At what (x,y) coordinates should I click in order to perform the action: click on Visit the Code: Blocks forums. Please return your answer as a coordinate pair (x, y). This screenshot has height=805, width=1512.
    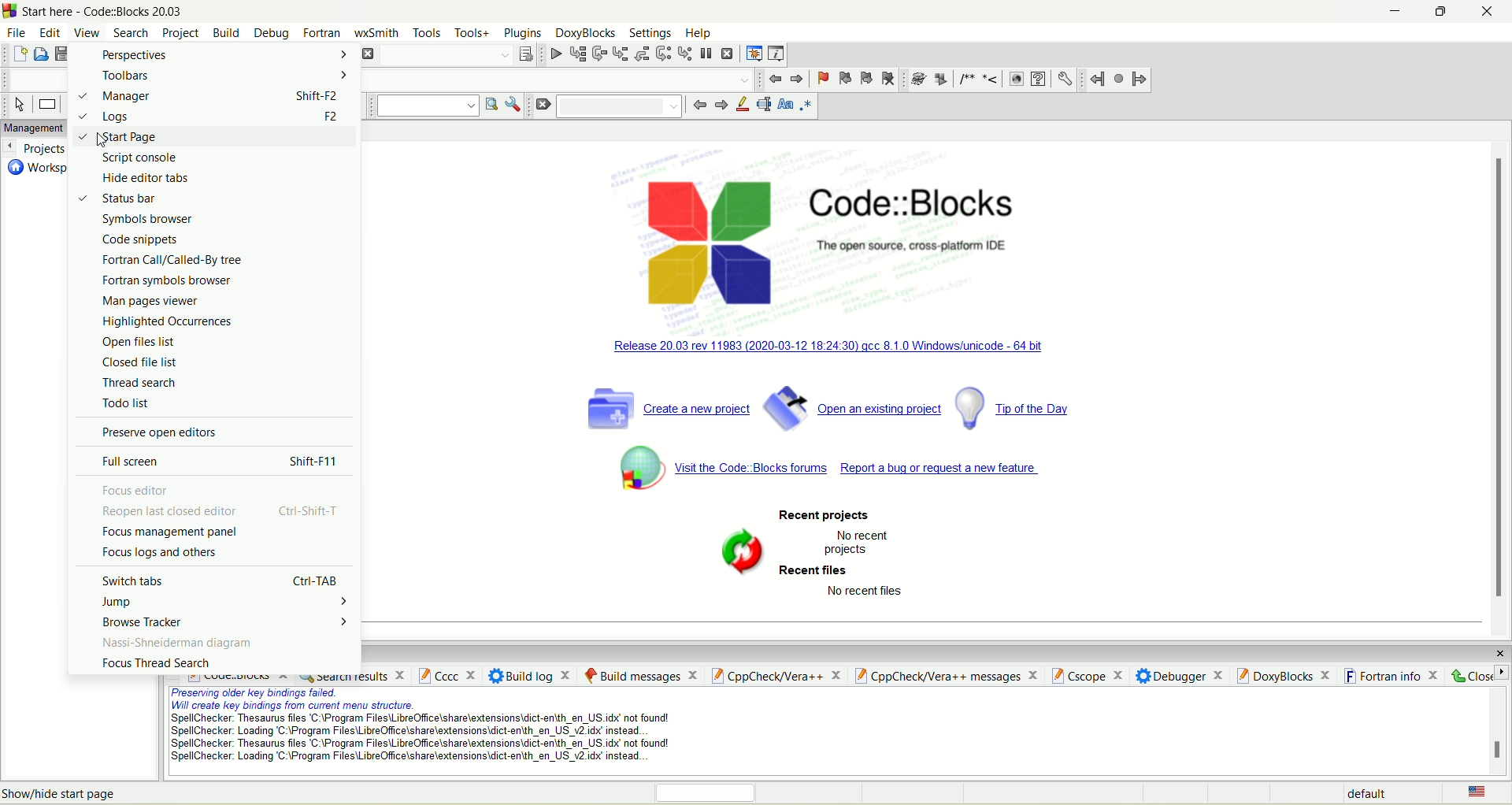
    Looking at the image, I should click on (752, 469).